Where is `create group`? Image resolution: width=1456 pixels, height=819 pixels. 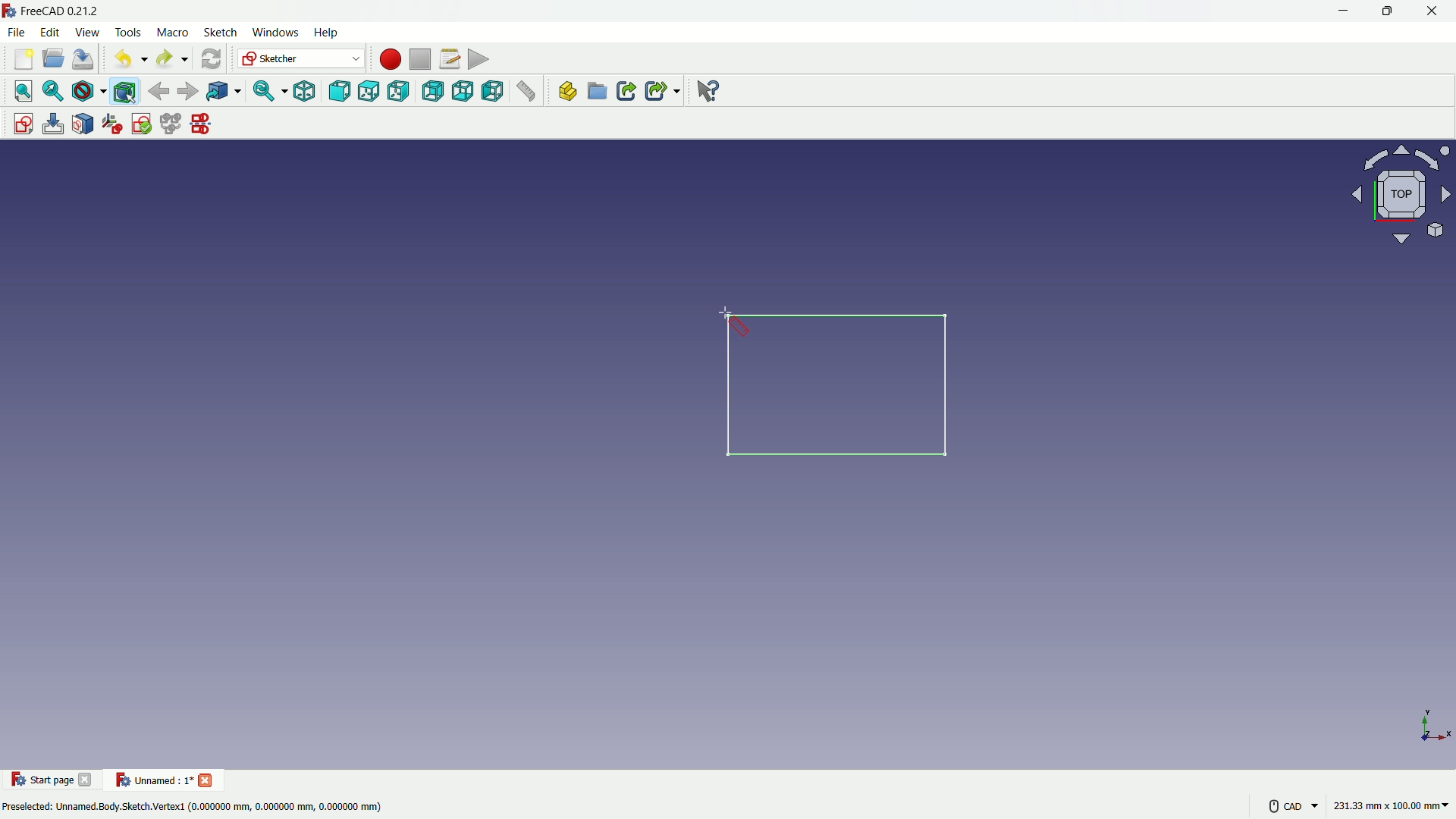 create group is located at coordinates (598, 93).